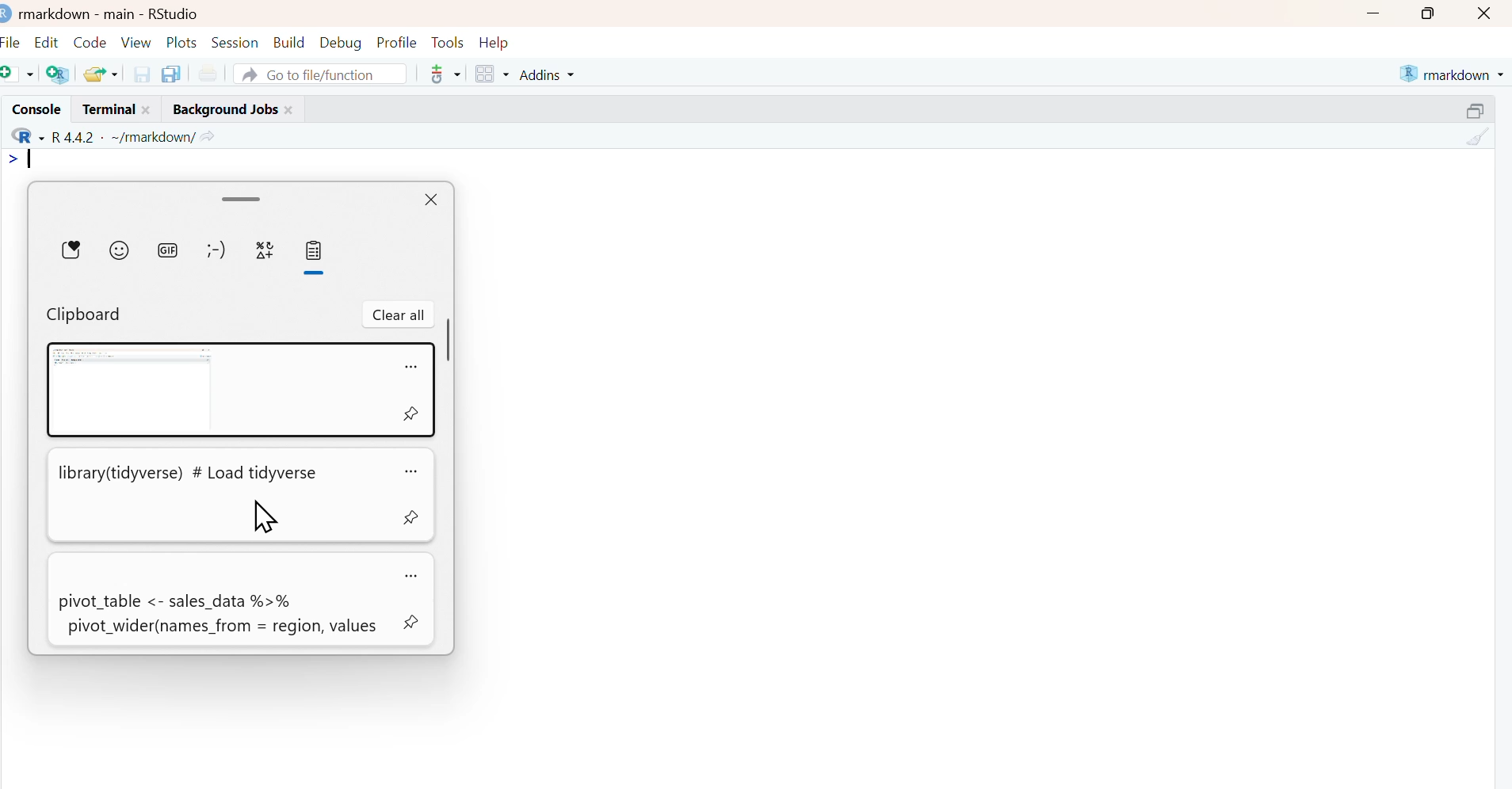 The width and height of the screenshot is (1512, 789). Describe the element at coordinates (410, 367) in the screenshot. I see `options` at that location.